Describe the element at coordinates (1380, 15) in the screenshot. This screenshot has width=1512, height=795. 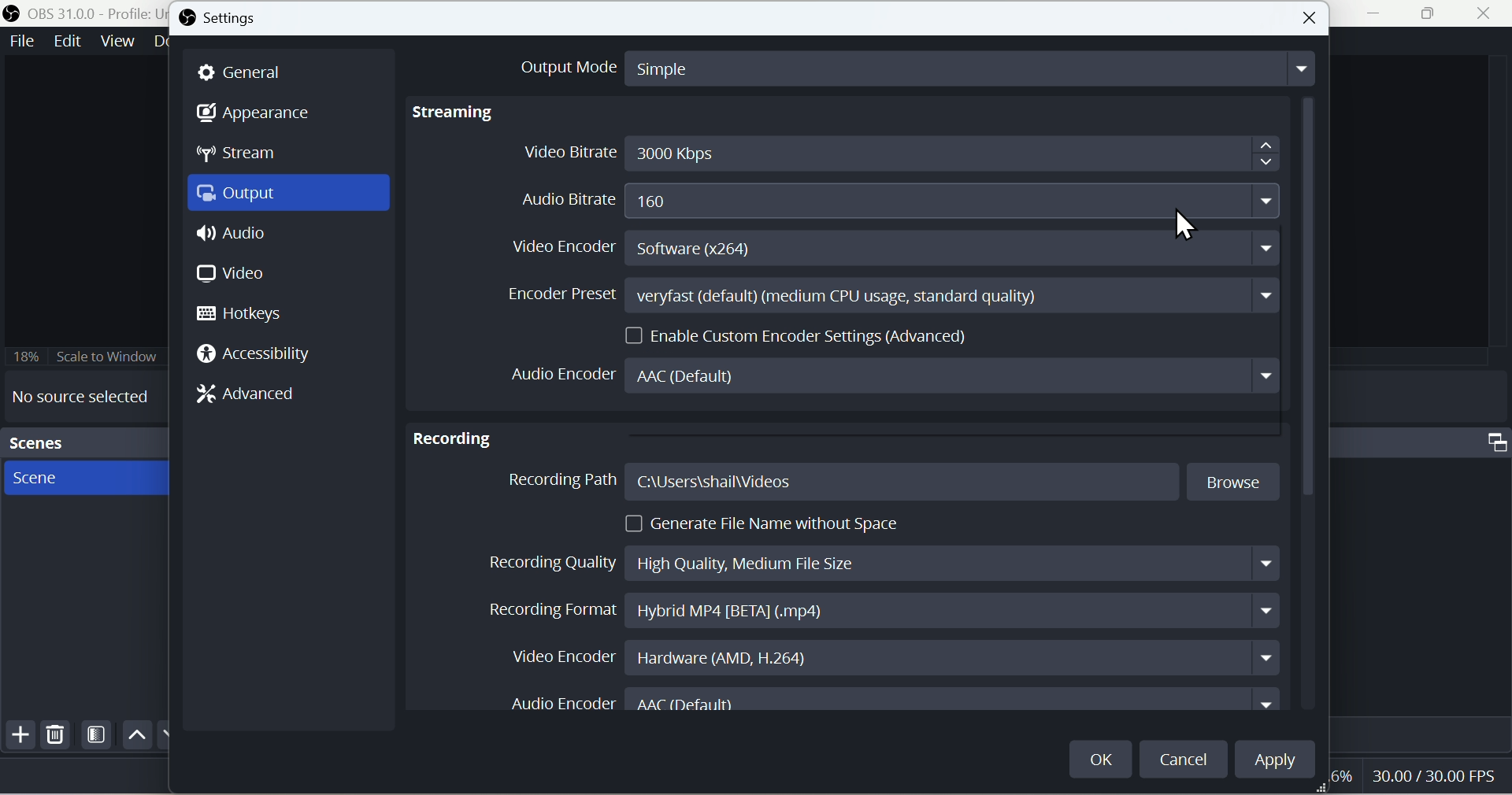
I see `minimise` at that location.